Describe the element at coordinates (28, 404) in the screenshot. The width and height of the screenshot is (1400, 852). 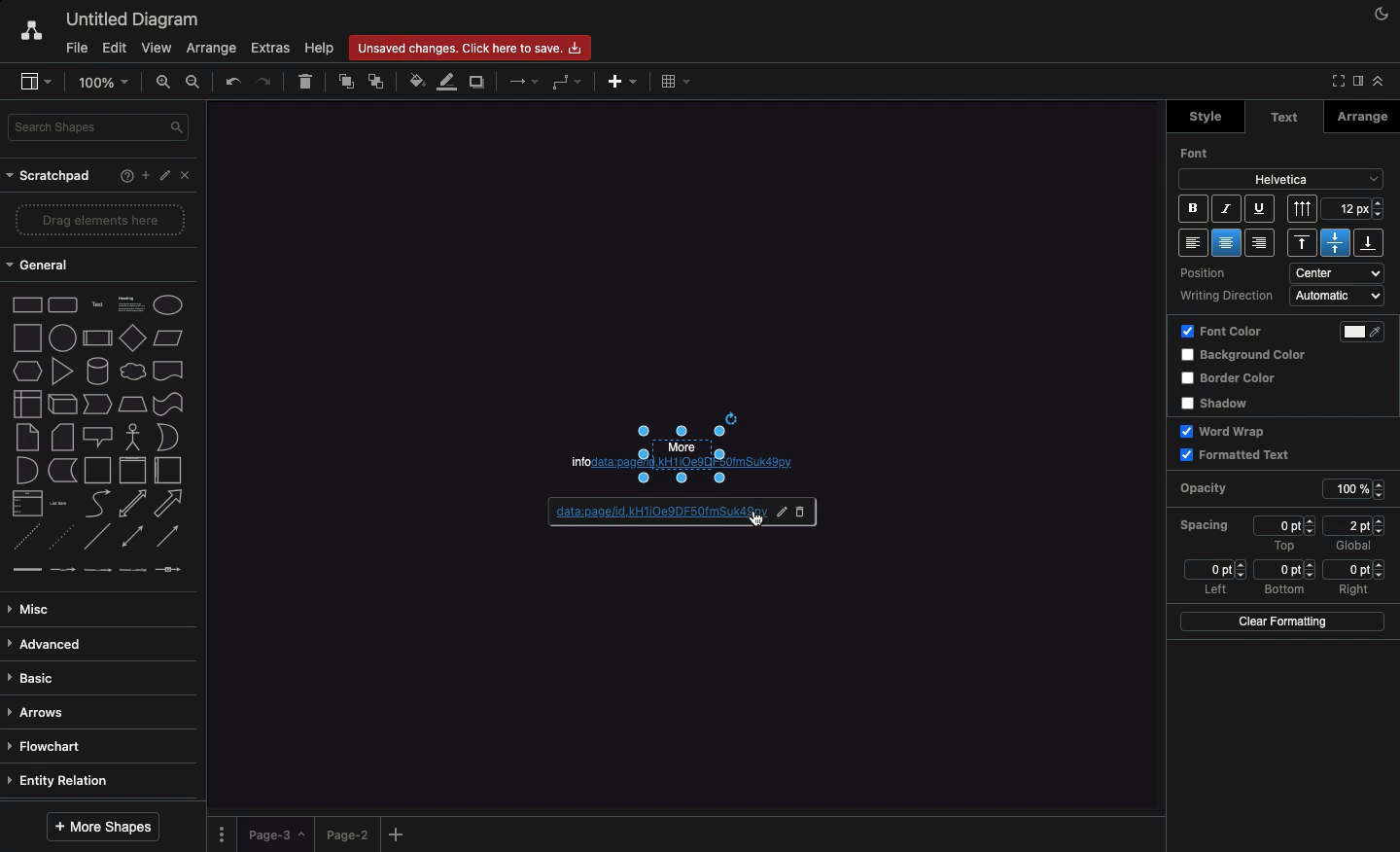
I see `internal storage` at that location.